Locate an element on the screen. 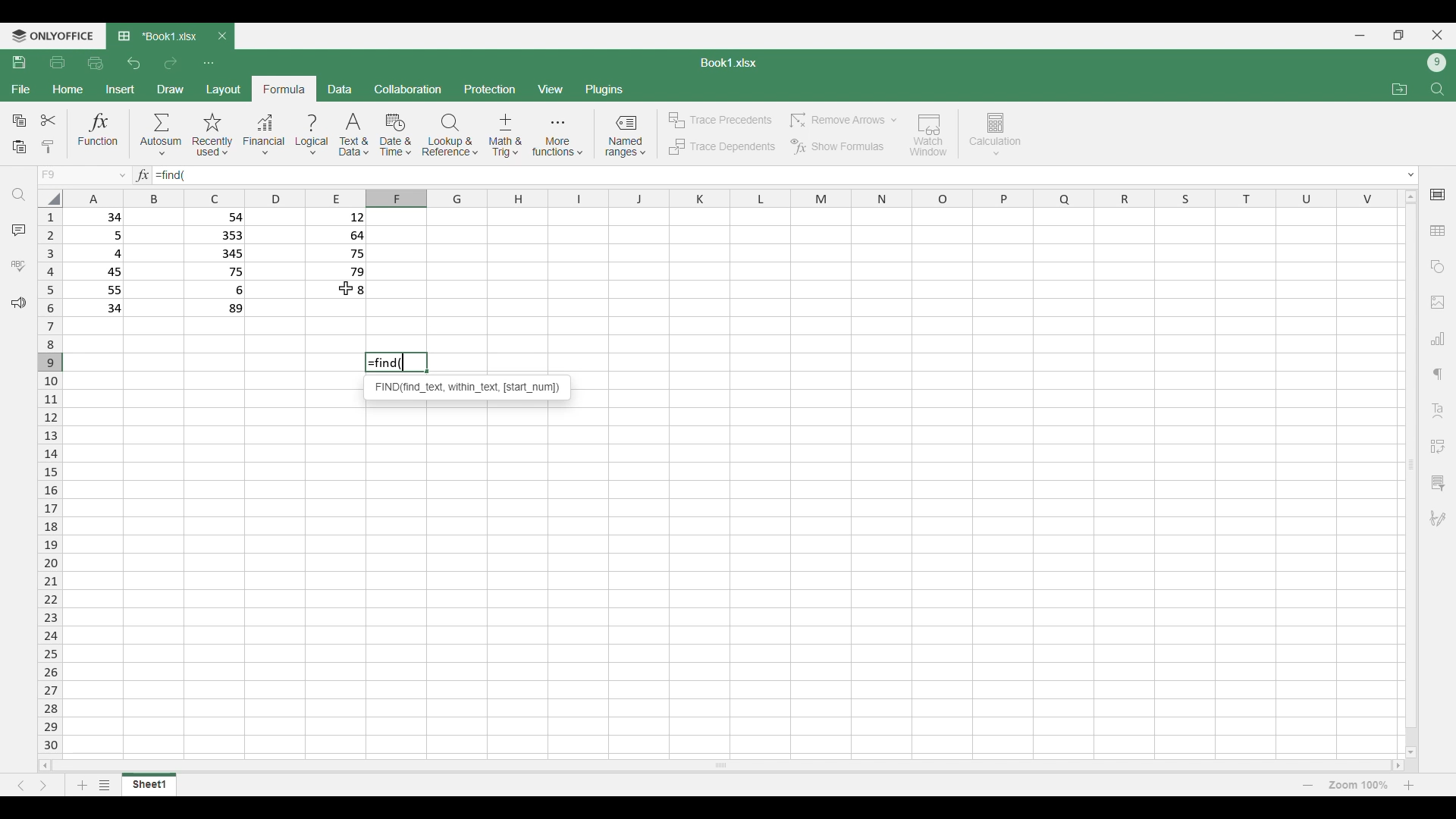 The width and height of the screenshot is (1456, 819). Expand text box is located at coordinates (1412, 175).